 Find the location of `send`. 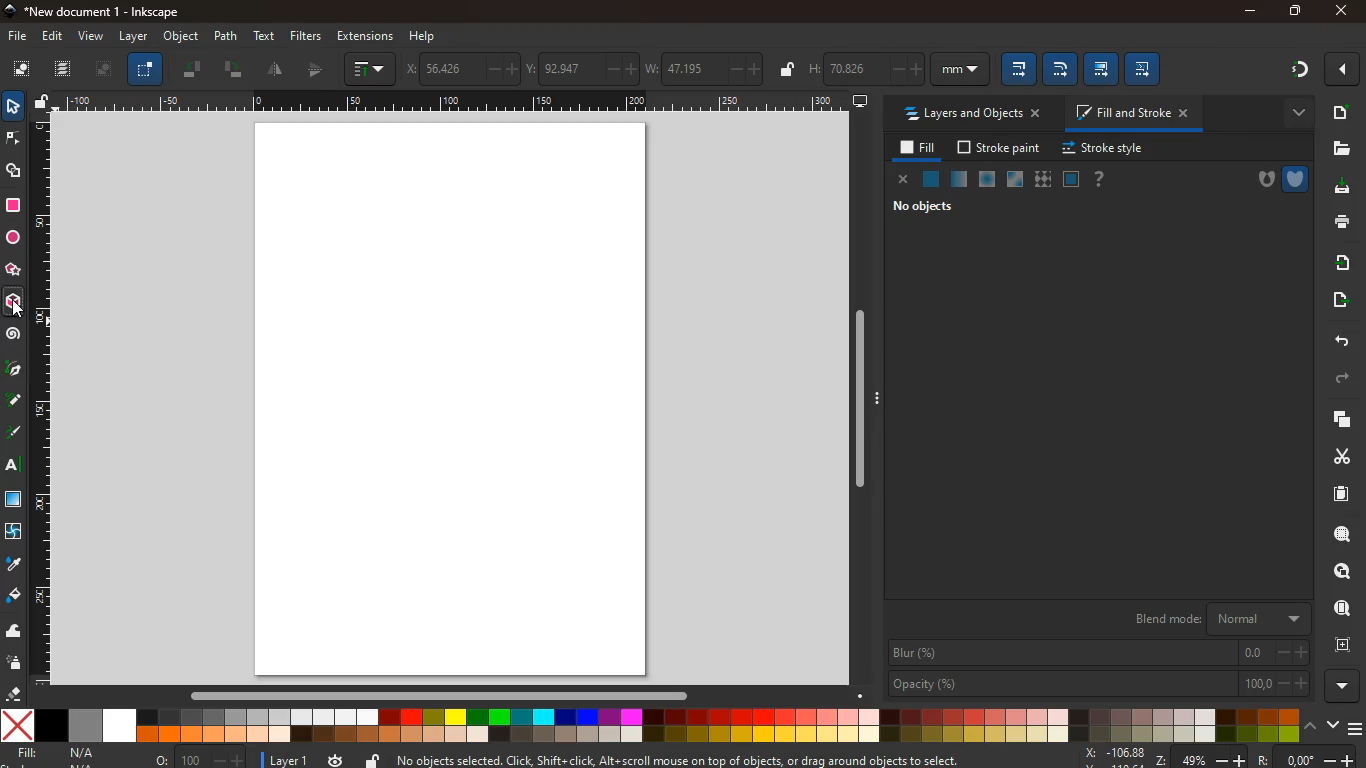

send is located at coordinates (1335, 300).